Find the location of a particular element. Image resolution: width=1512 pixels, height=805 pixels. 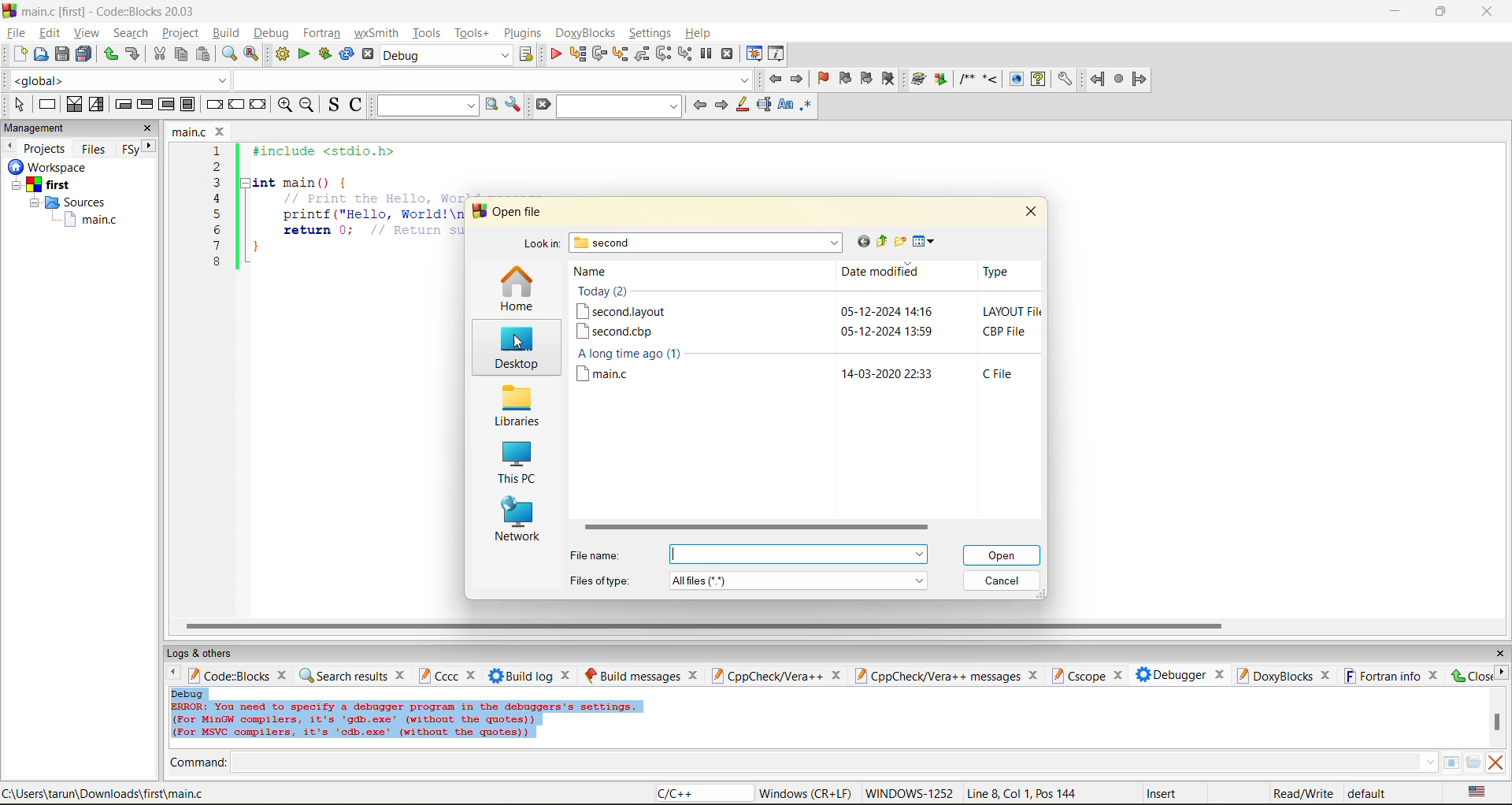

previous is located at coordinates (169, 674).